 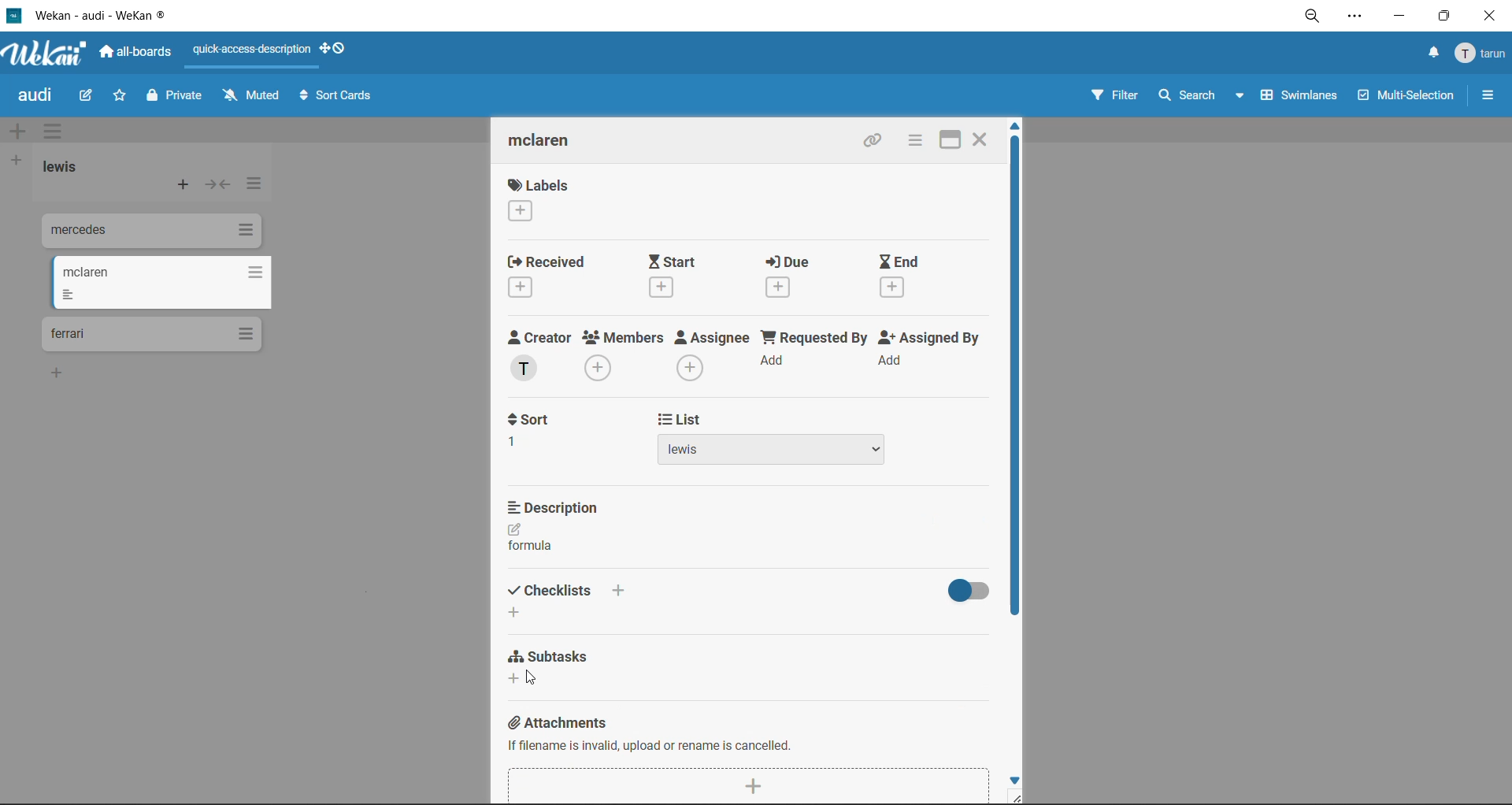 I want to click on due, so click(x=802, y=276).